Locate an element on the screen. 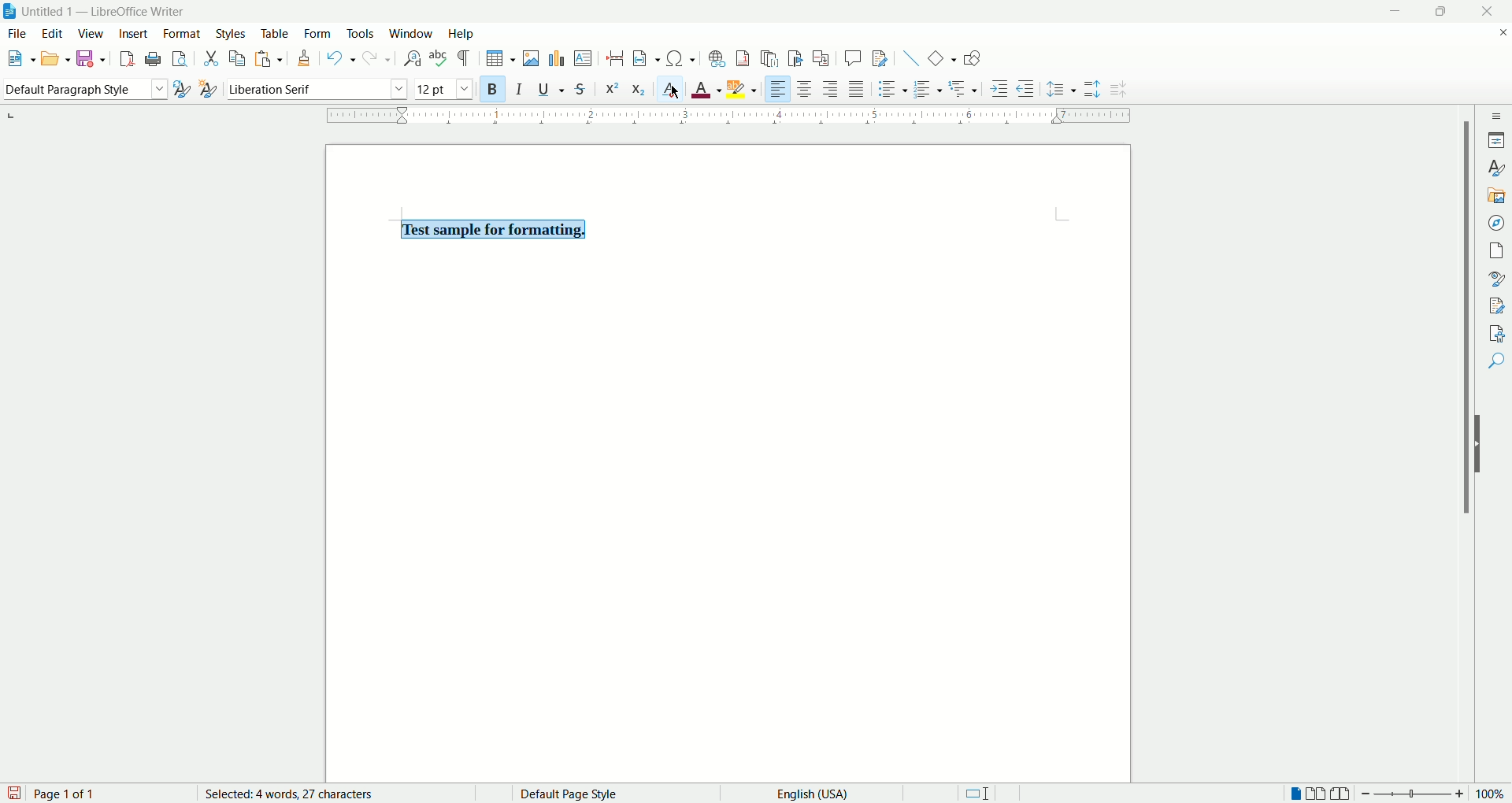 Image resolution: width=1512 pixels, height=803 pixels. insert bookmark is located at coordinates (795, 59).